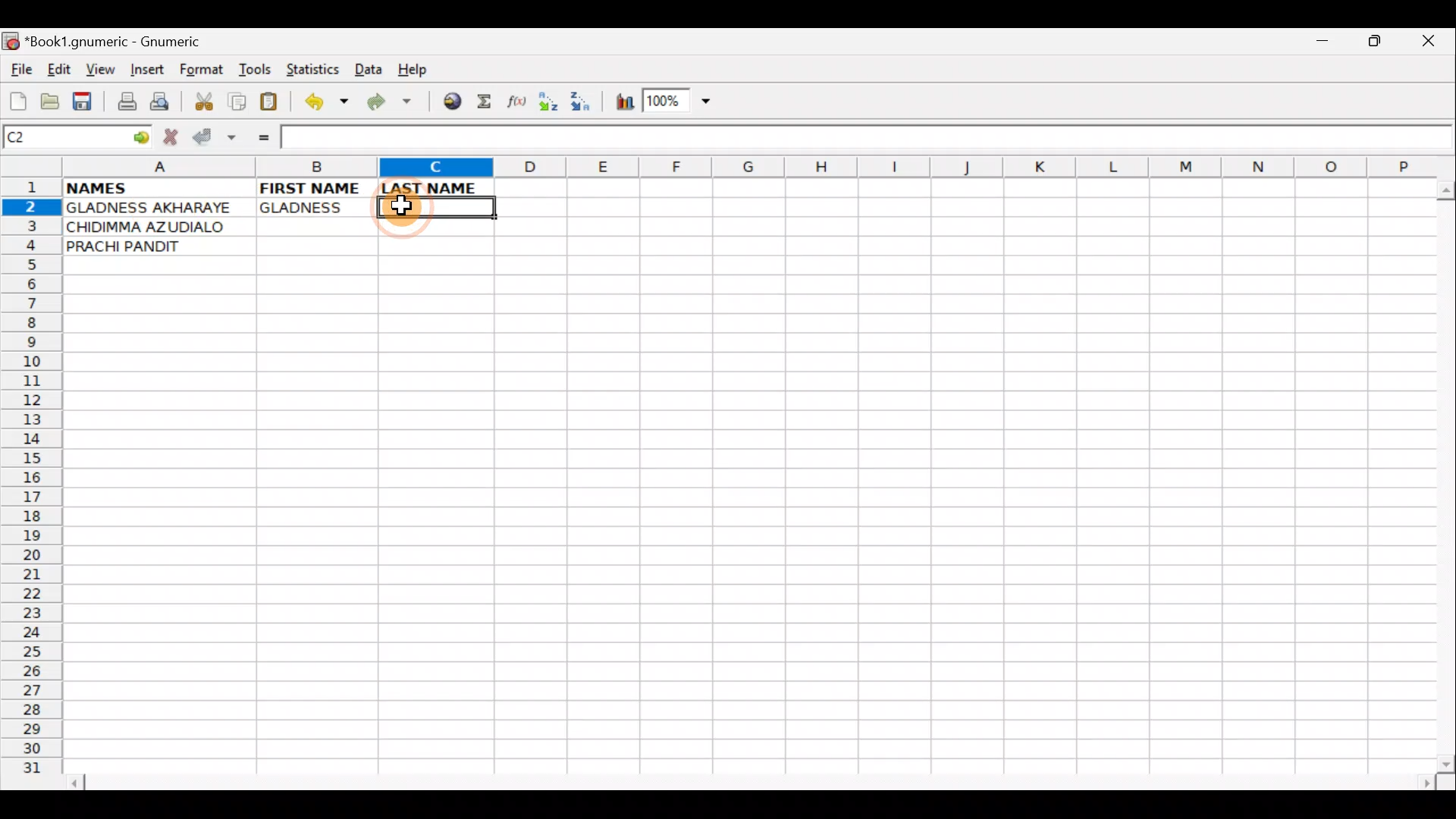 This screenshot has height=819, width=1456. What do you see at coordinates (368, 68) in the screenshot?
I see `Data` at bounding box center [368, 68].